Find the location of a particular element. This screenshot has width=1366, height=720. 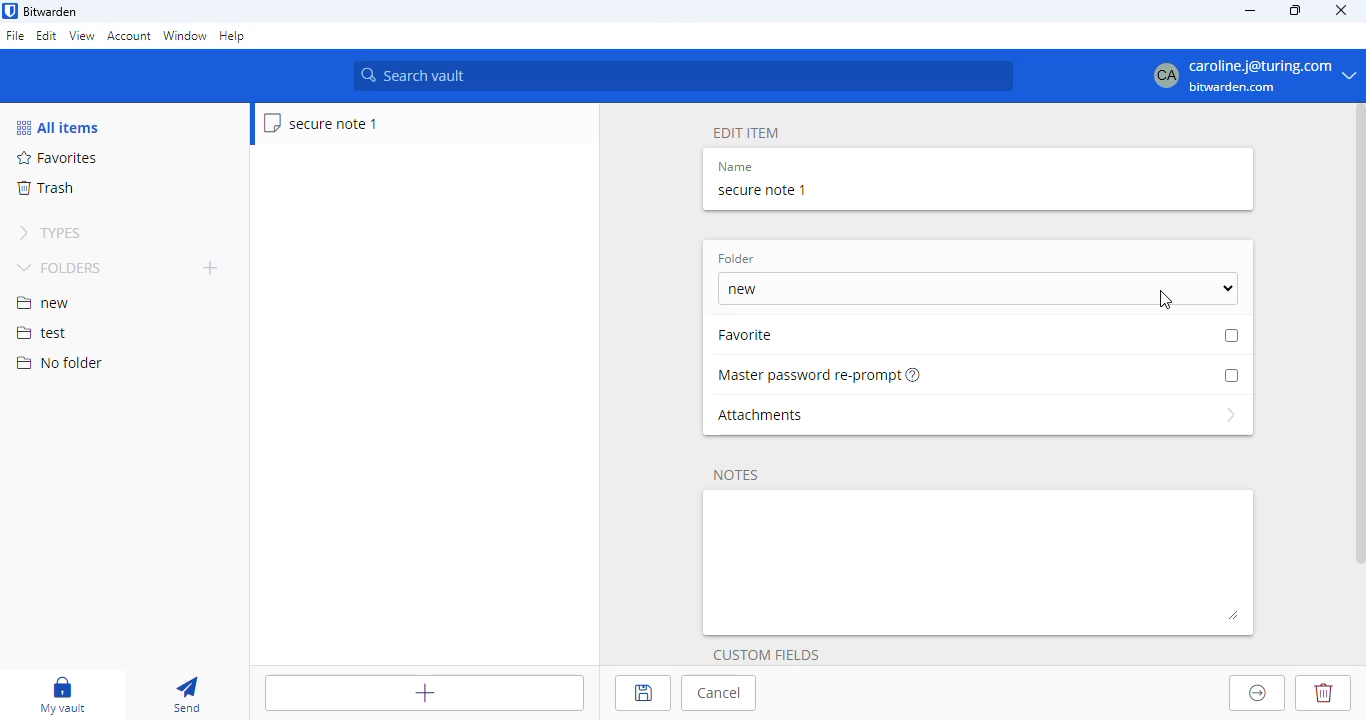

edit item is located at coordinates (747, 134).